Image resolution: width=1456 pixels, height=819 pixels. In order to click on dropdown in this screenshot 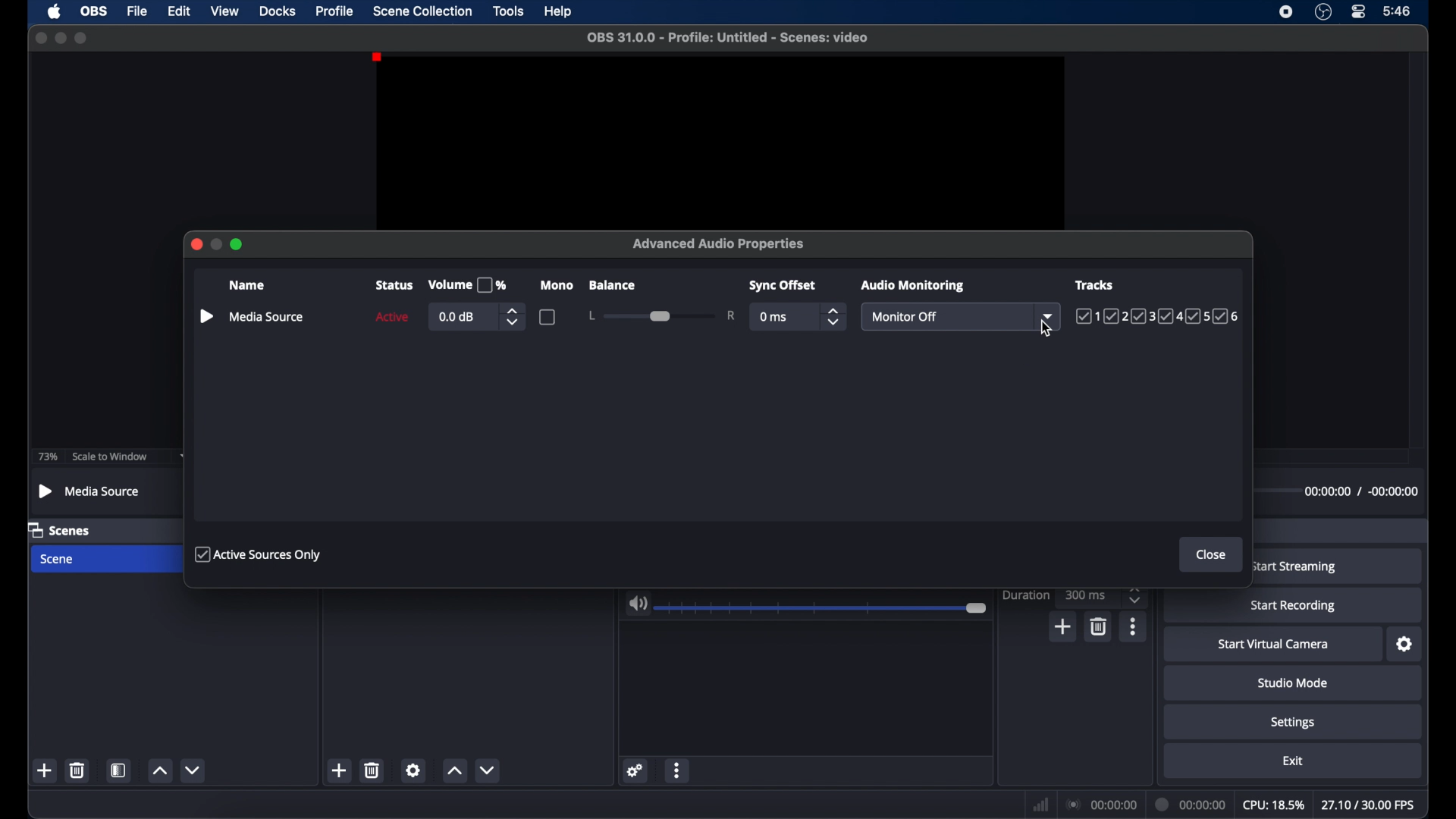, I will do `click(1050, 315)`.